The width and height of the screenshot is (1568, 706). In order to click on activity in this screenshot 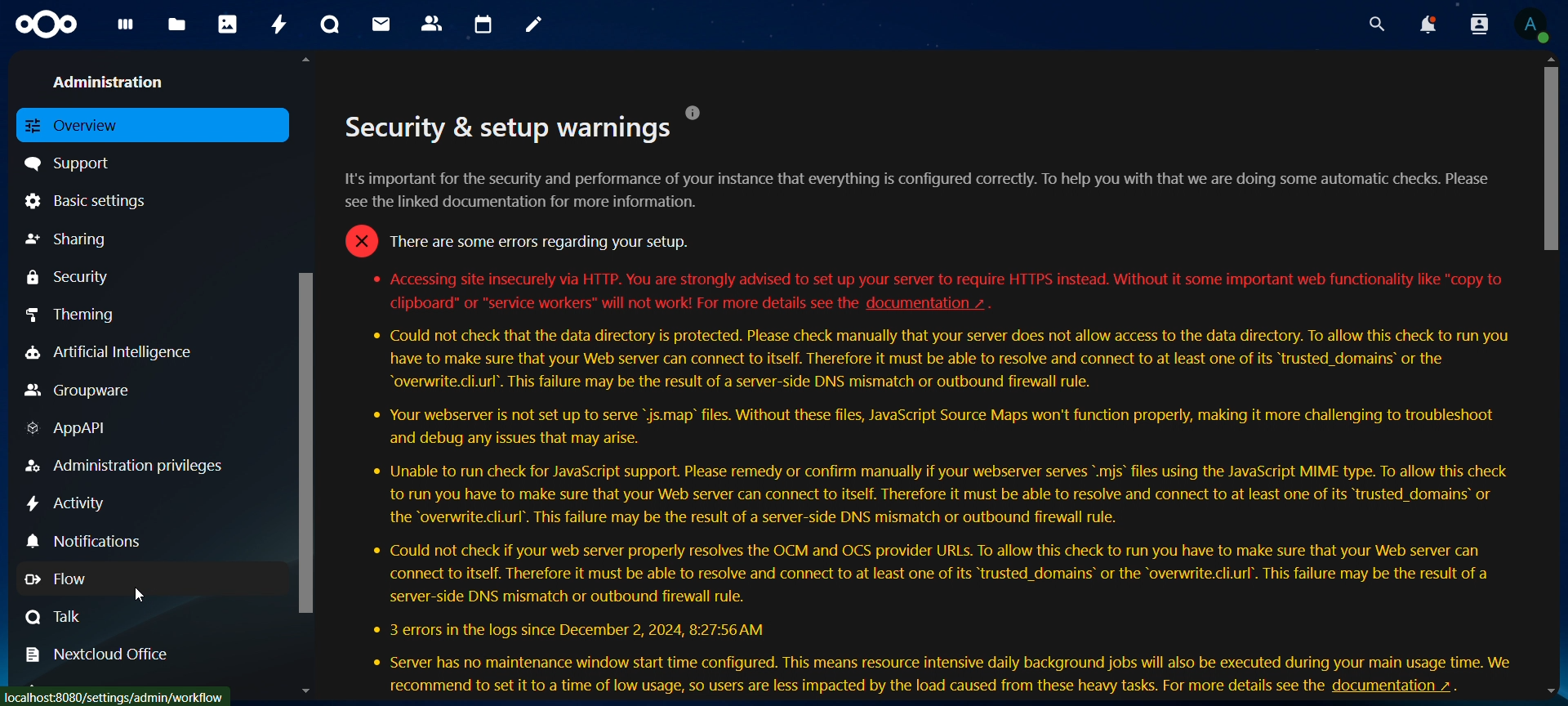, I will do `click(69, 504)`.